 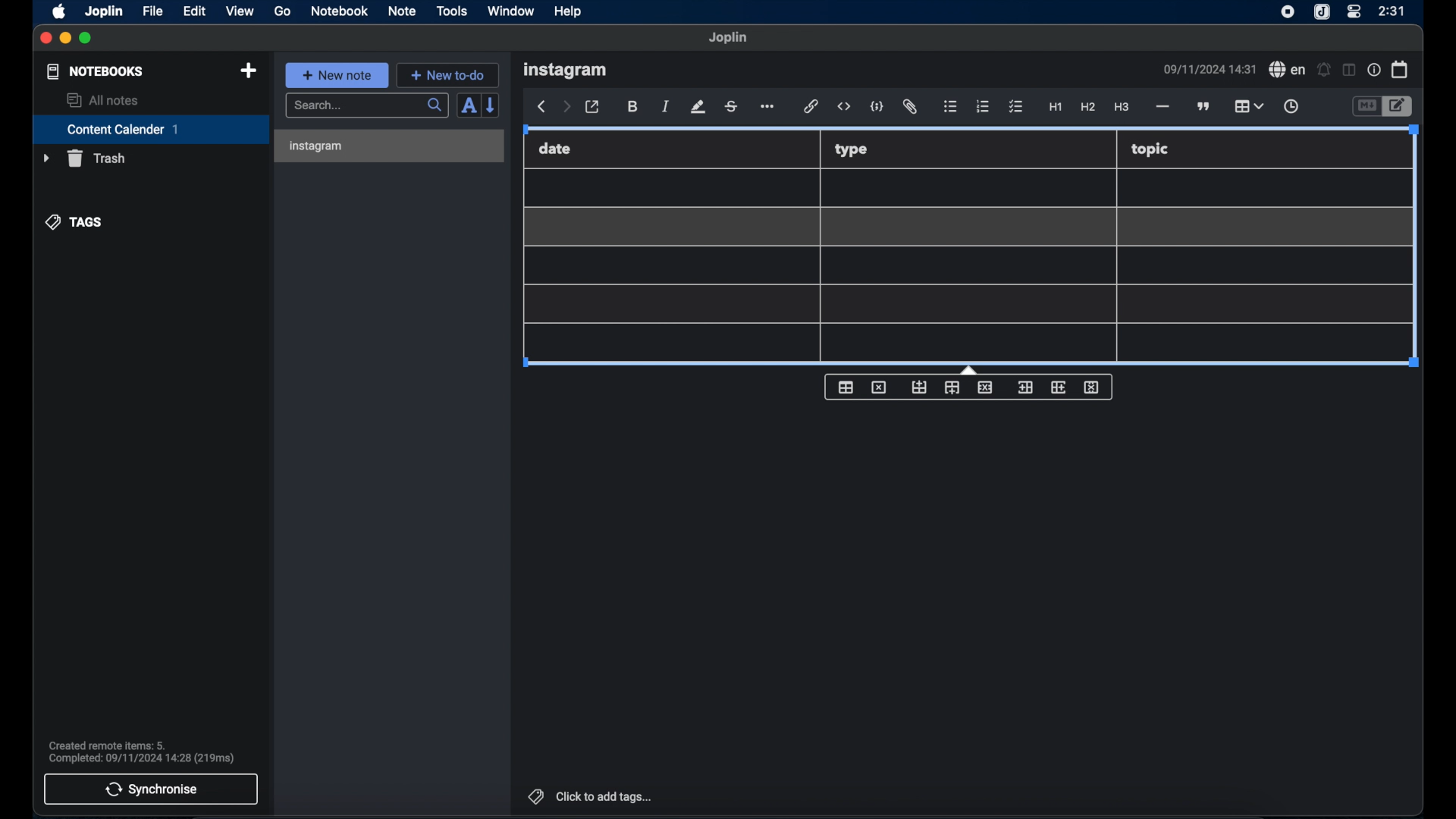 What do you see at coordinates (1292, 106) in the screenshot?
I see `insert time` at bounding box center [1292, 106].